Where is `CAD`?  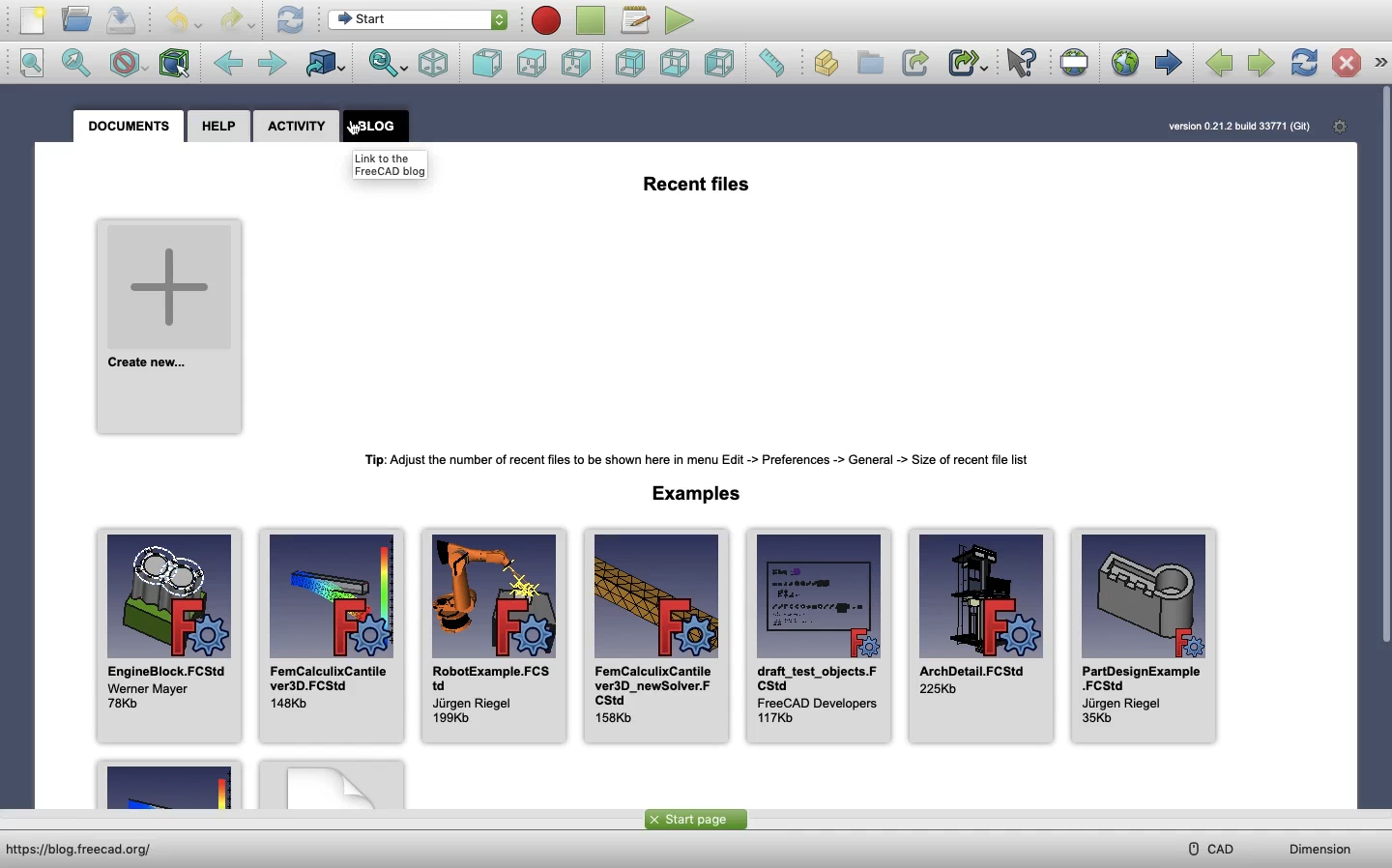
CAD is located at coordinates (1215, 848).